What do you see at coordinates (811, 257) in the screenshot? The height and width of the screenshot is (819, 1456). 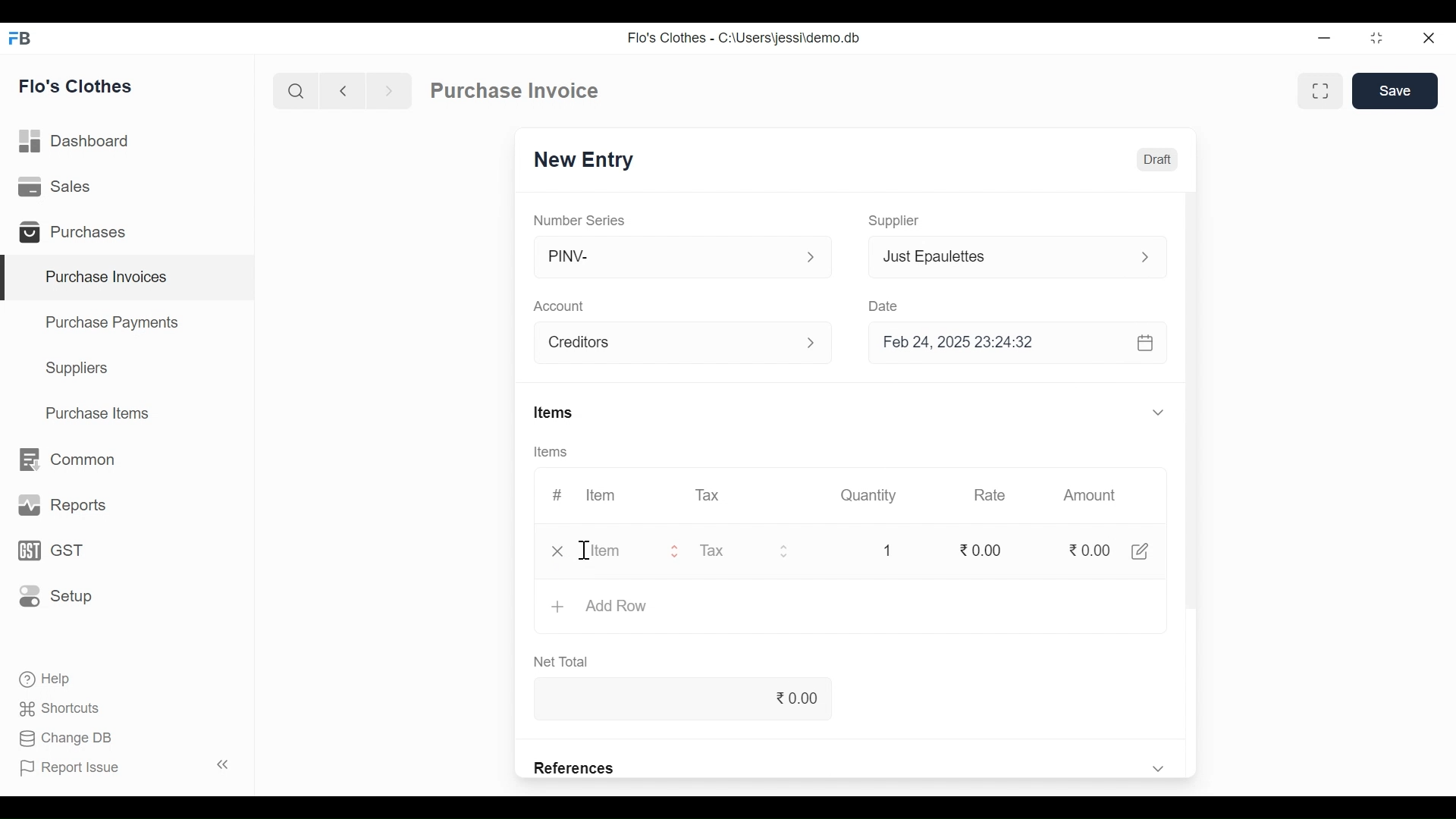 I see `expand` at bounding box center [811, 257].